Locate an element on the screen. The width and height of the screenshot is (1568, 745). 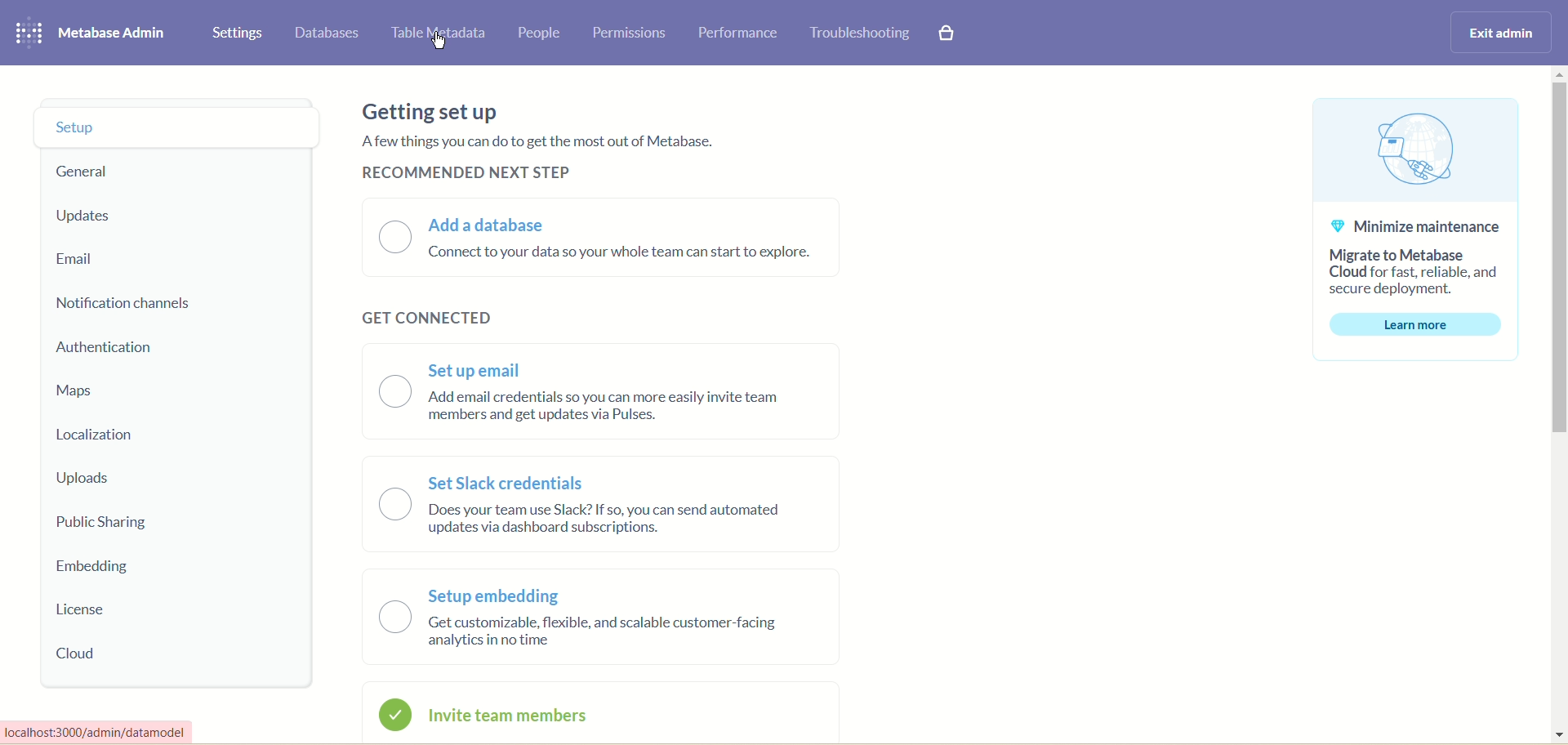
setup is located at coordinates (177, 127).